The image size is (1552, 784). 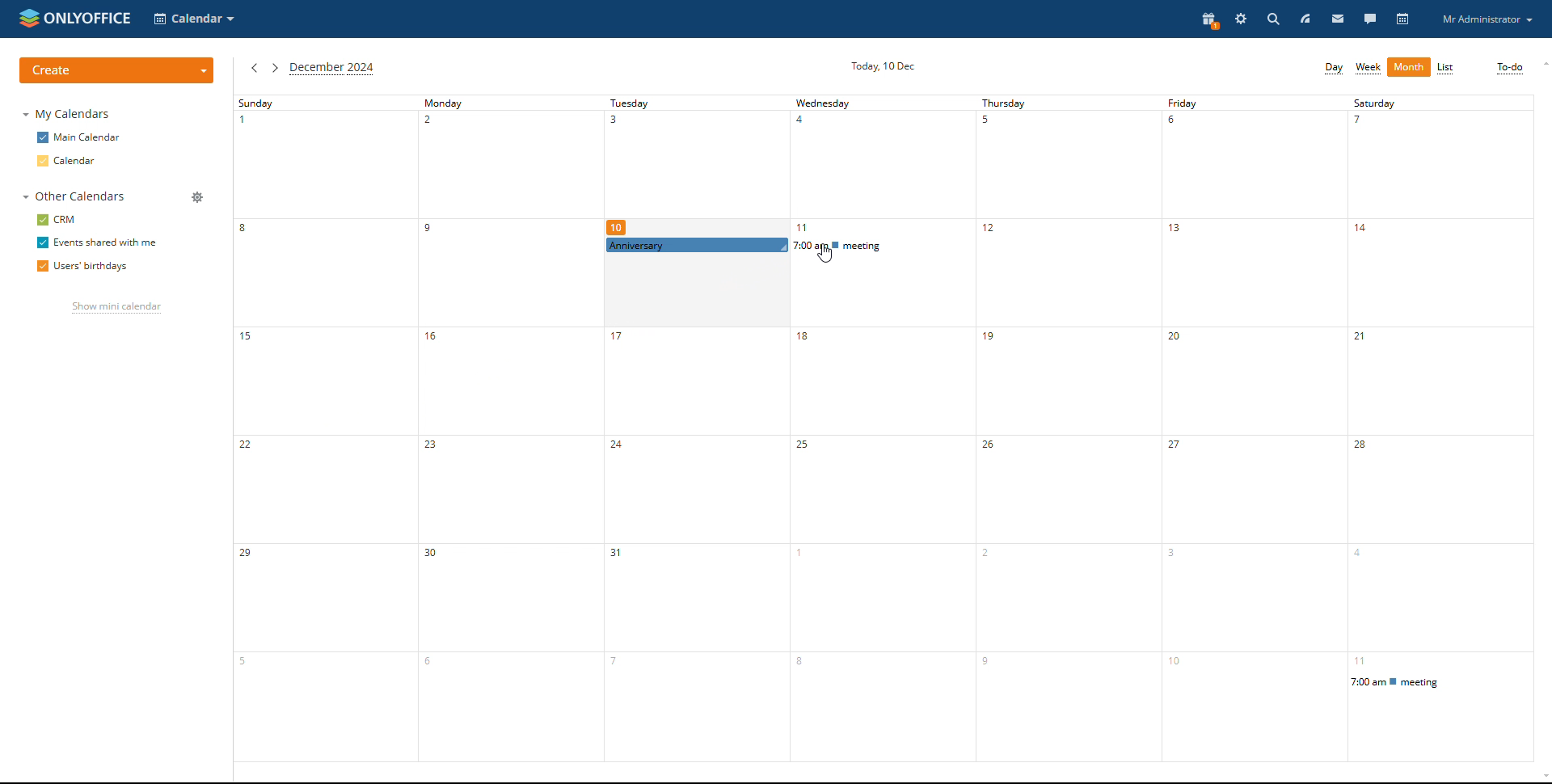 What do you see at coordinates (1305, 19) in the screenshot?
I see `feed` at bounding box center [1305, 19].